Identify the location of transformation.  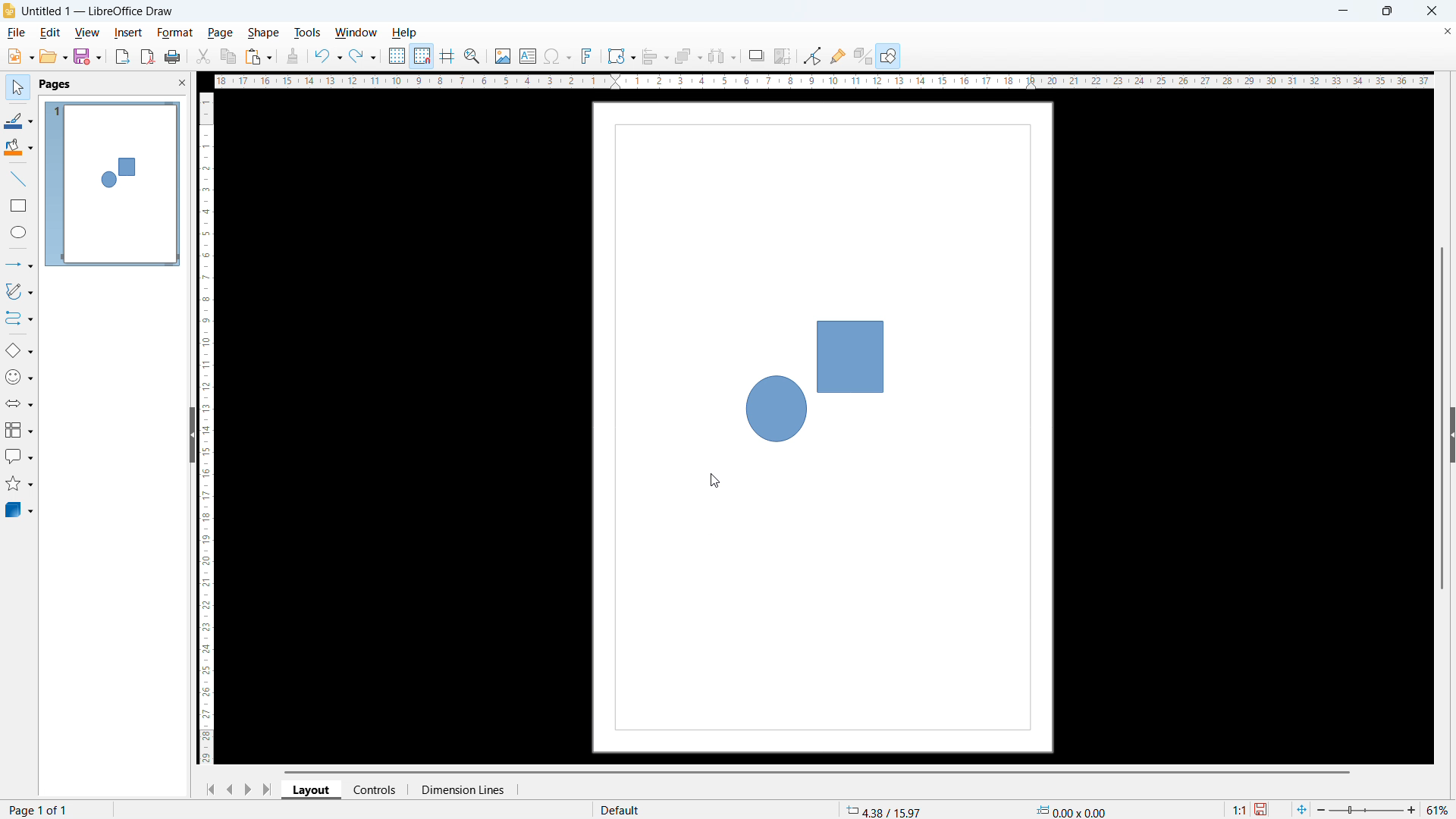
(620, 57).